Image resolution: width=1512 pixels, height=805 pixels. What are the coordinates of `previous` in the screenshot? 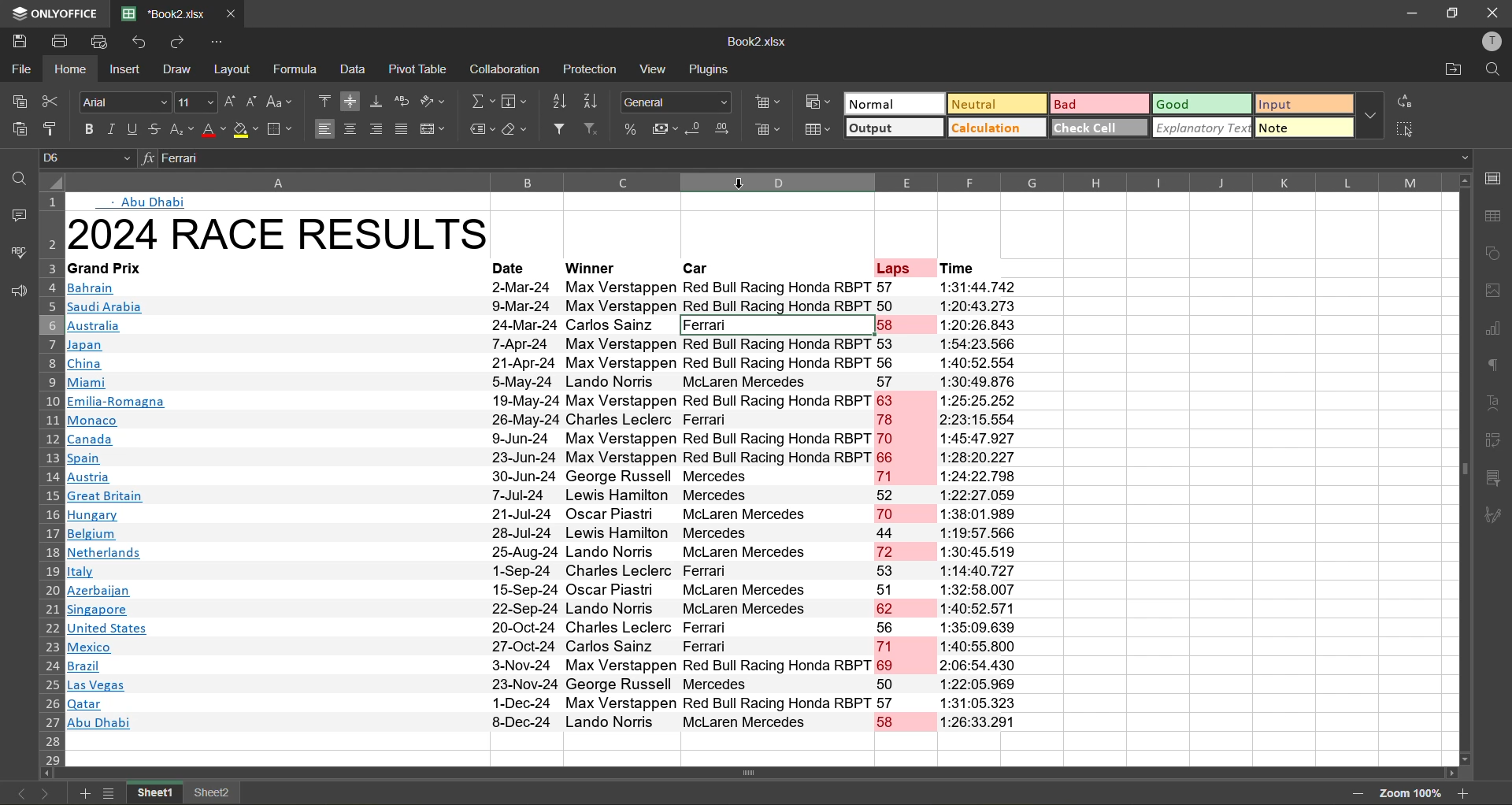 It's located at (22, 794).